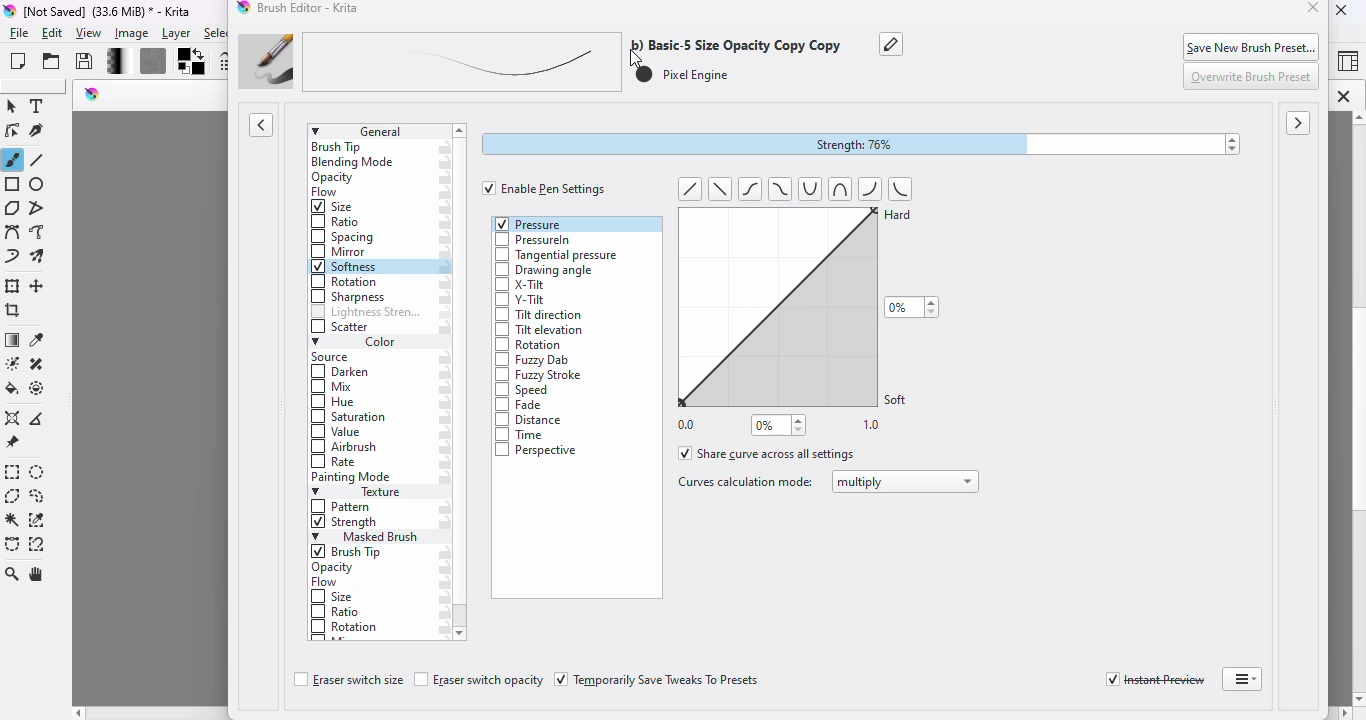 This screenshot has width=1366, height=720. Describe the element at coordinates (558, 254) in the screenshot. I see `tangential pressure` at that location.